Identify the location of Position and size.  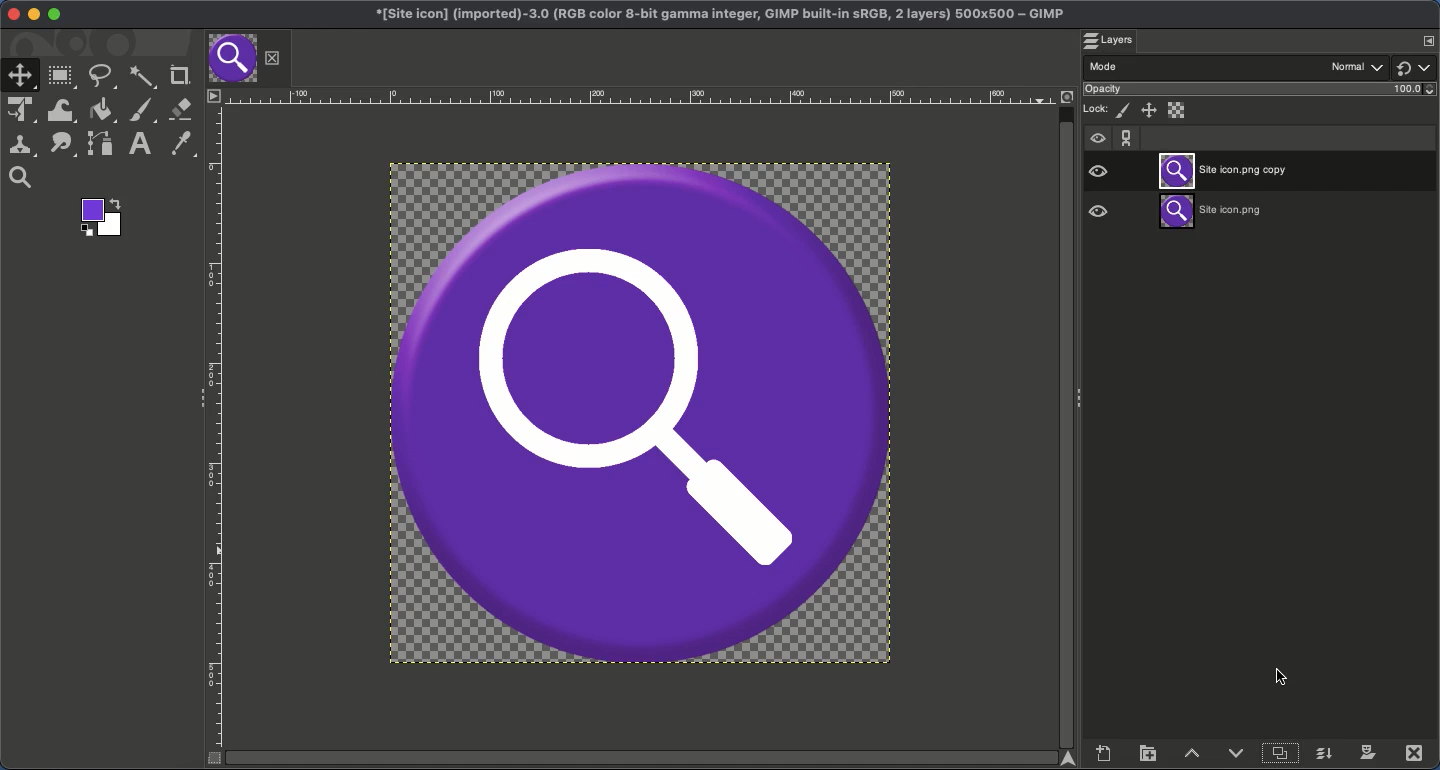
(1148, 109).